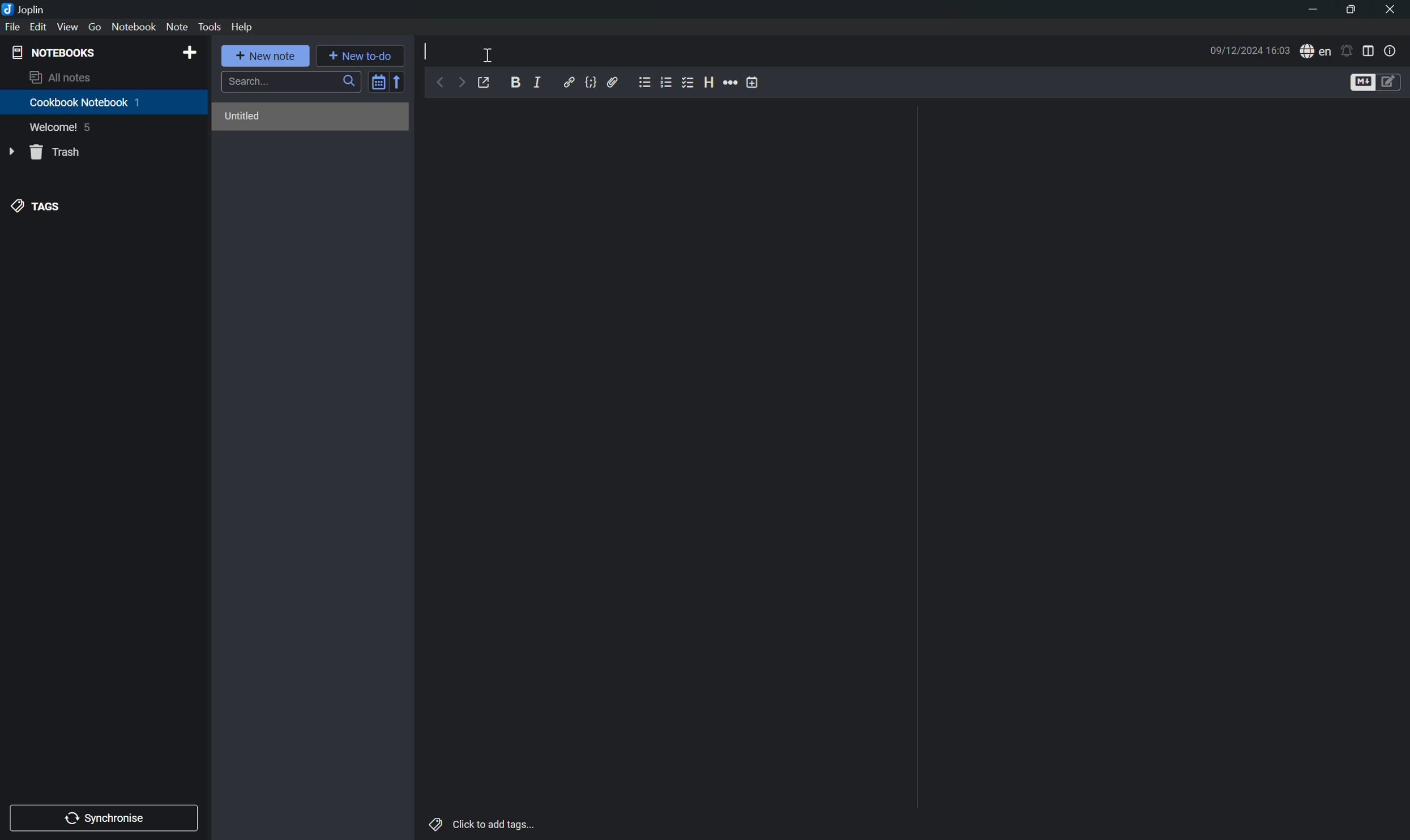 The image size is (1410, 840). What do you see at coordinates (359, 54) in the screenshot?
I see `New to-do` at bounding box center [359, 54].